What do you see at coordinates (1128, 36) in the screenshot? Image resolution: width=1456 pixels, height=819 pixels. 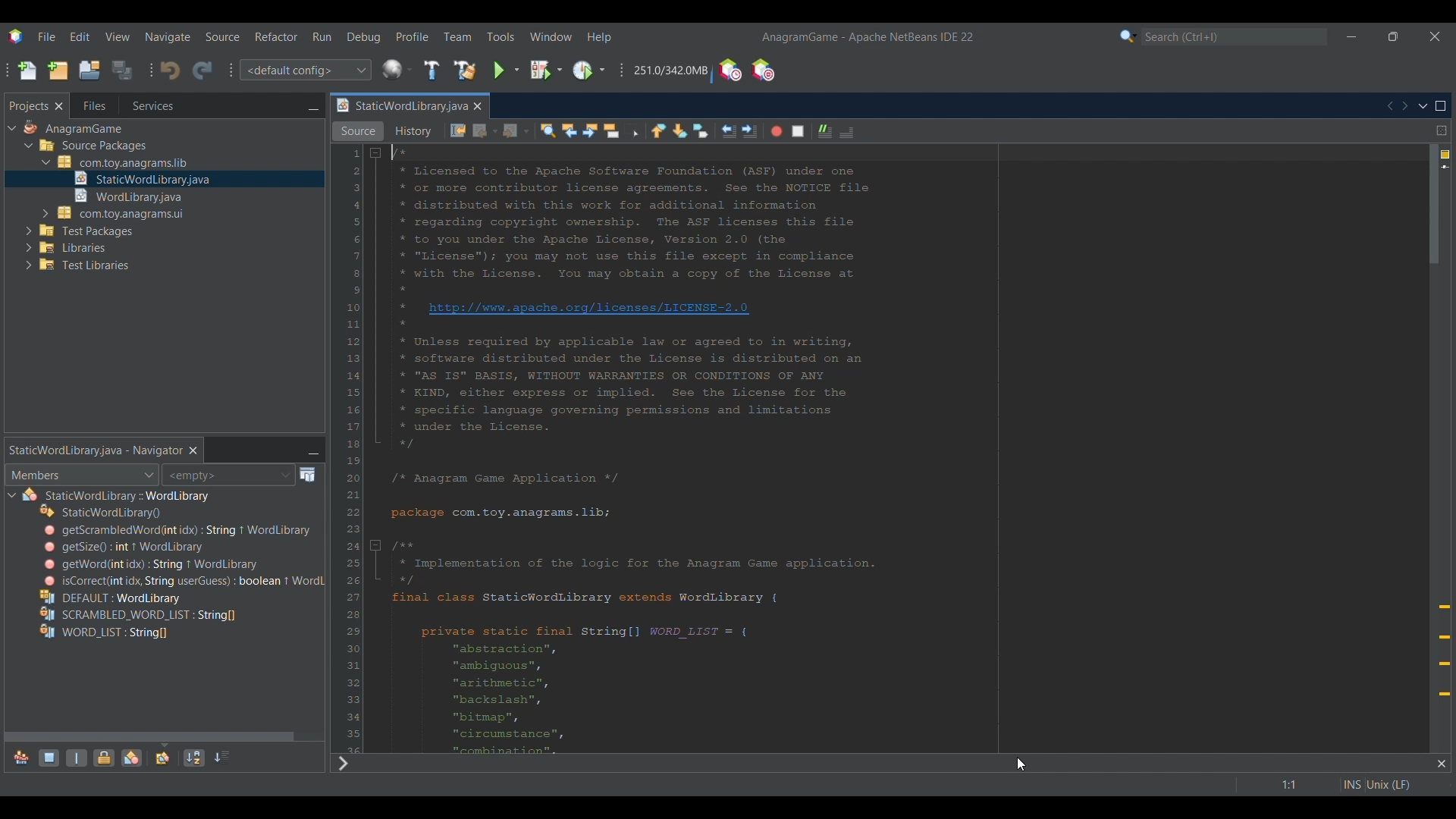 I see `Search options` at bounding box center [1128, 36].